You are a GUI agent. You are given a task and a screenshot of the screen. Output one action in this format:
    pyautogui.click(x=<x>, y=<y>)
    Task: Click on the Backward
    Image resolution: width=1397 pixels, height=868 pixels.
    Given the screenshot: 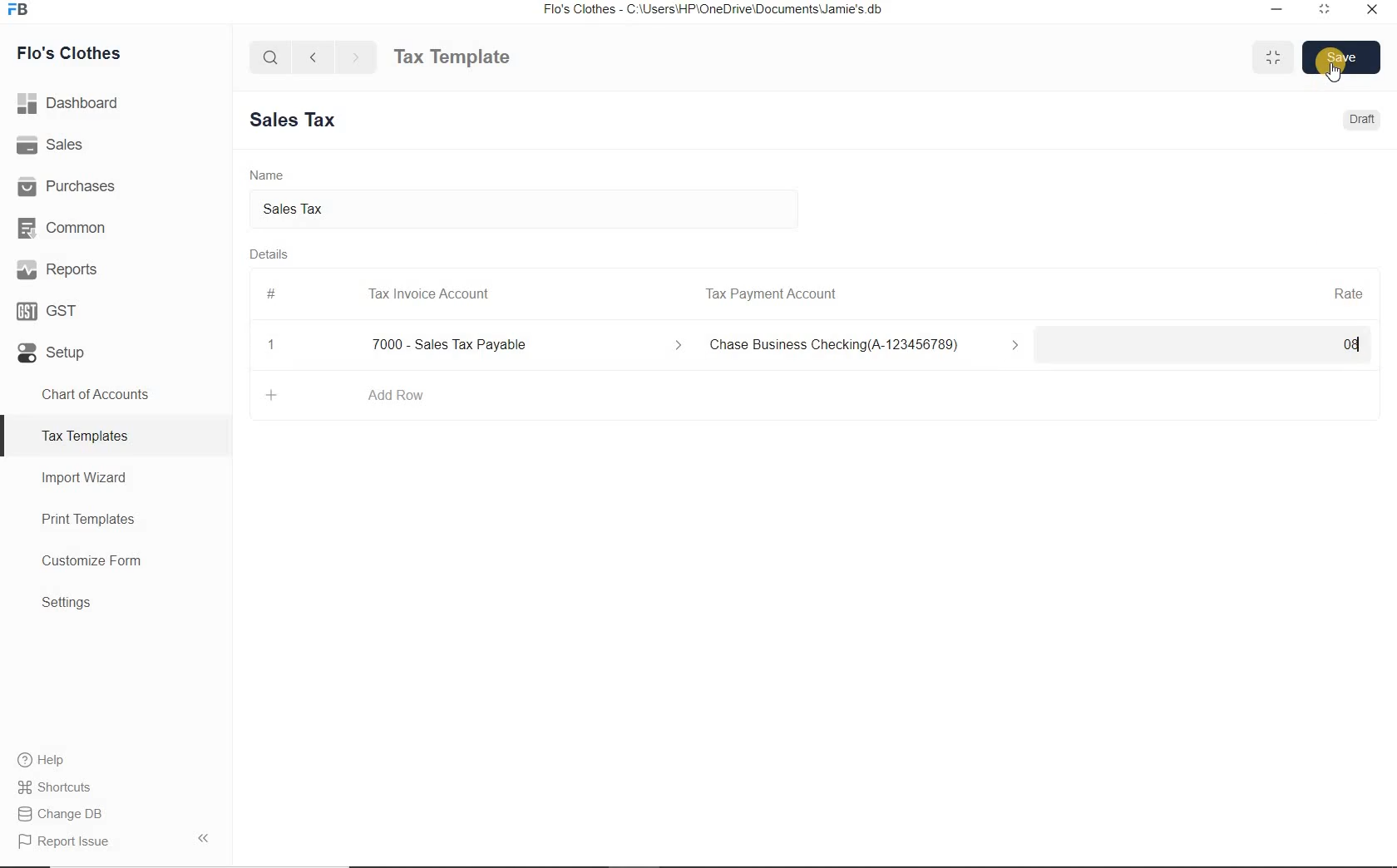 What is the action you would take?
    pyautogui.click(x=313, y=56)
    